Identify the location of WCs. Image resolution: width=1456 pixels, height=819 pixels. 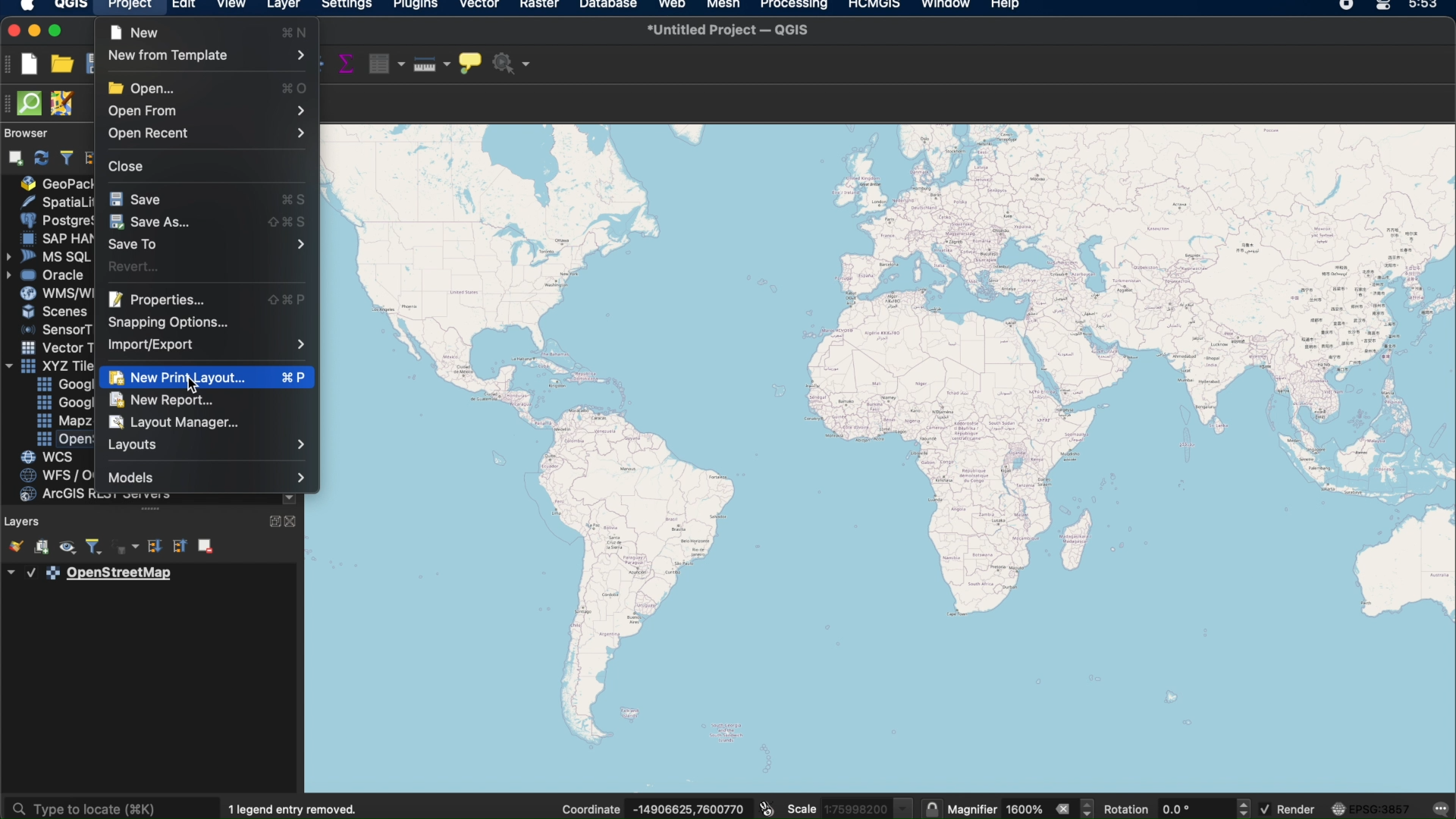
(49, 457).